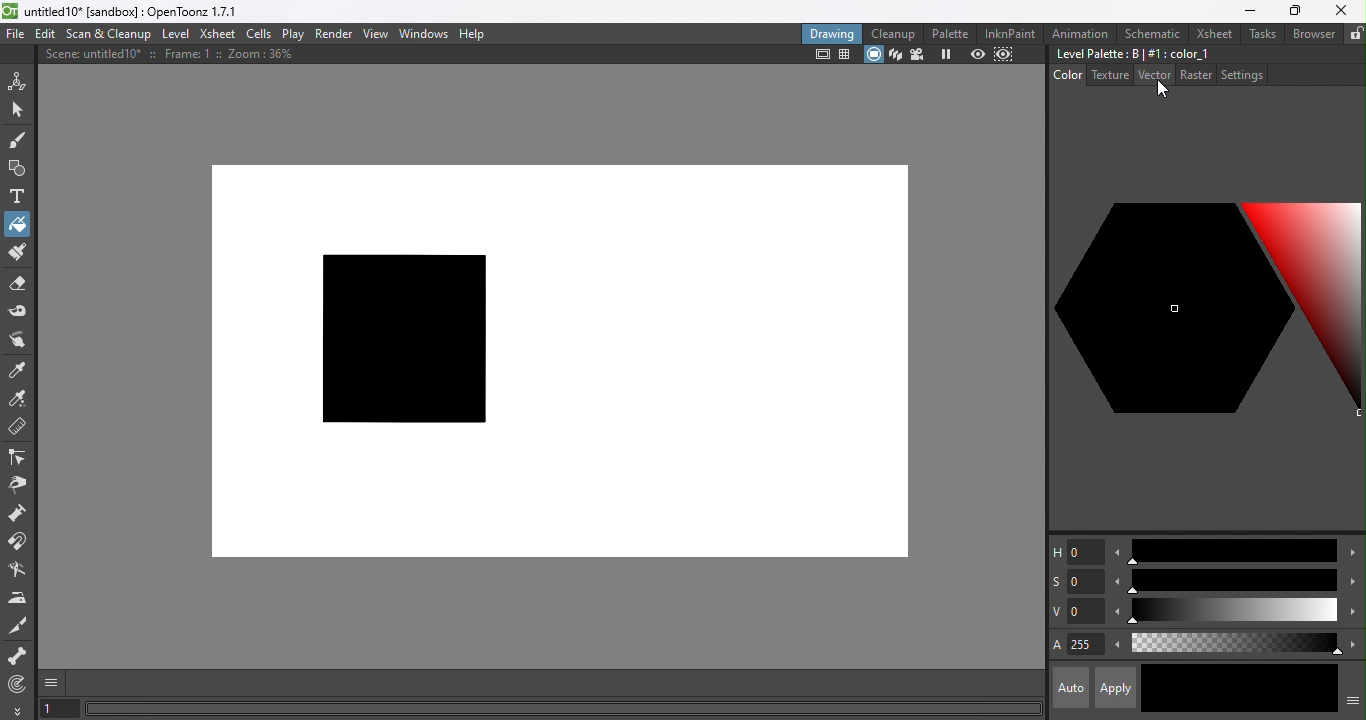 This screenshot has height=720, width=1366. Describe the element at coordinates (15, 169) in the screenshot. I see `Geometric tool` at that location.